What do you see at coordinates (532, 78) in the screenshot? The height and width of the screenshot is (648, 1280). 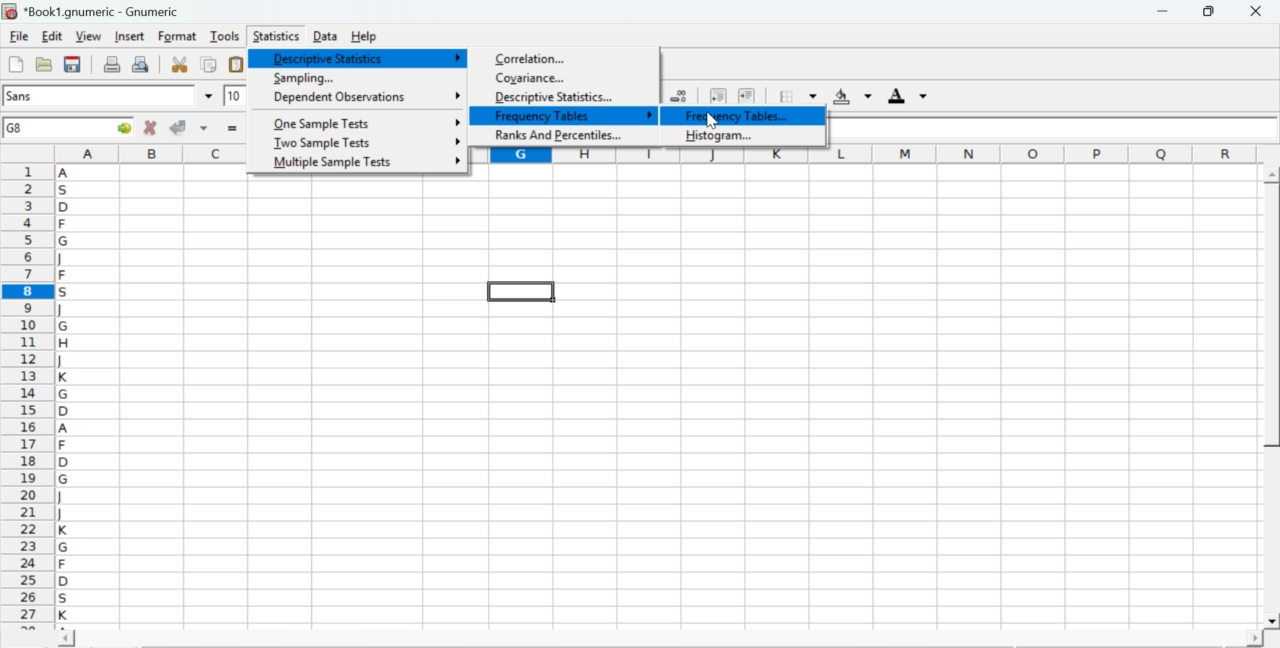 I see `coviance...` at bounding box center [532, 78].